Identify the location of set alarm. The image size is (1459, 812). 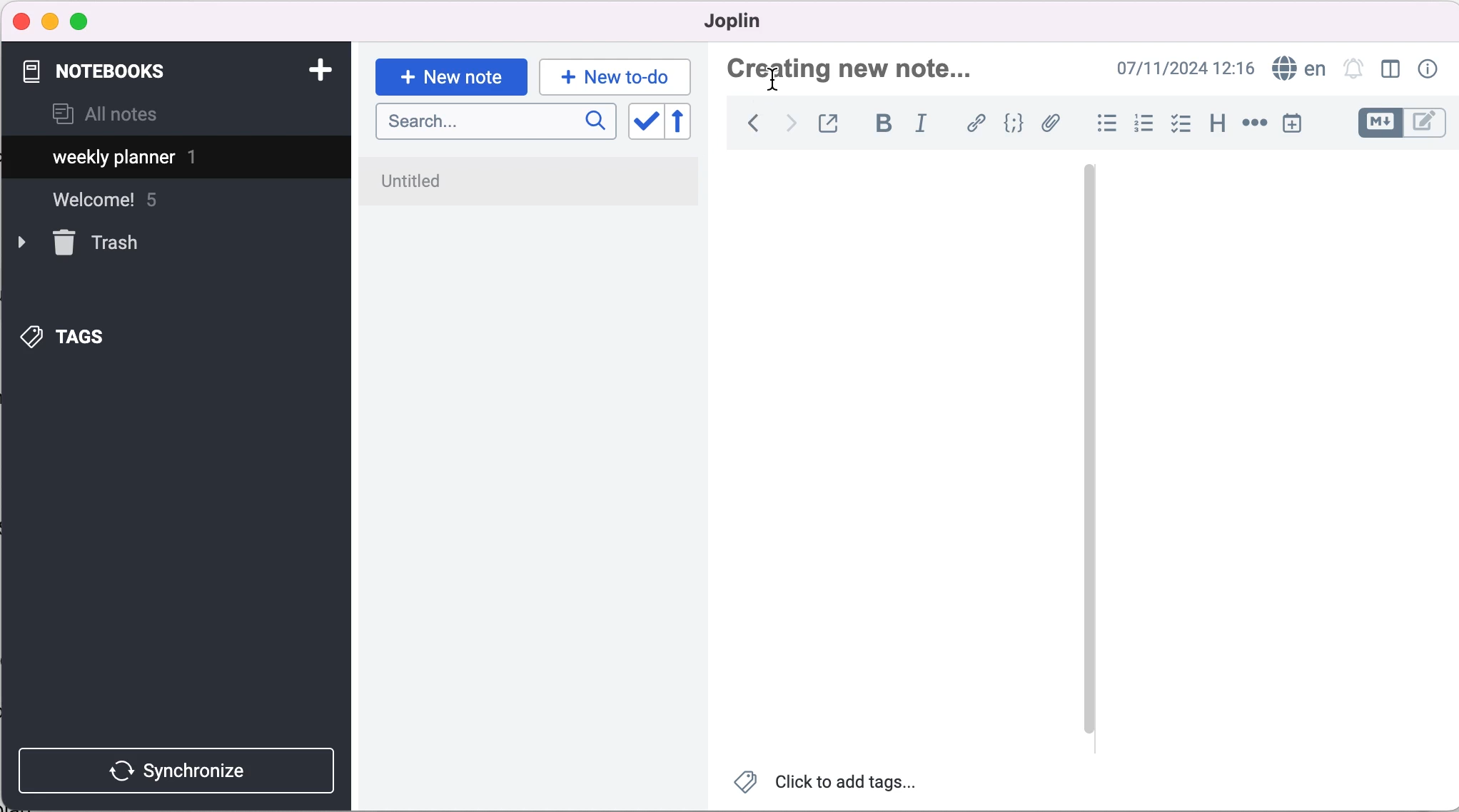
(1354, 71).